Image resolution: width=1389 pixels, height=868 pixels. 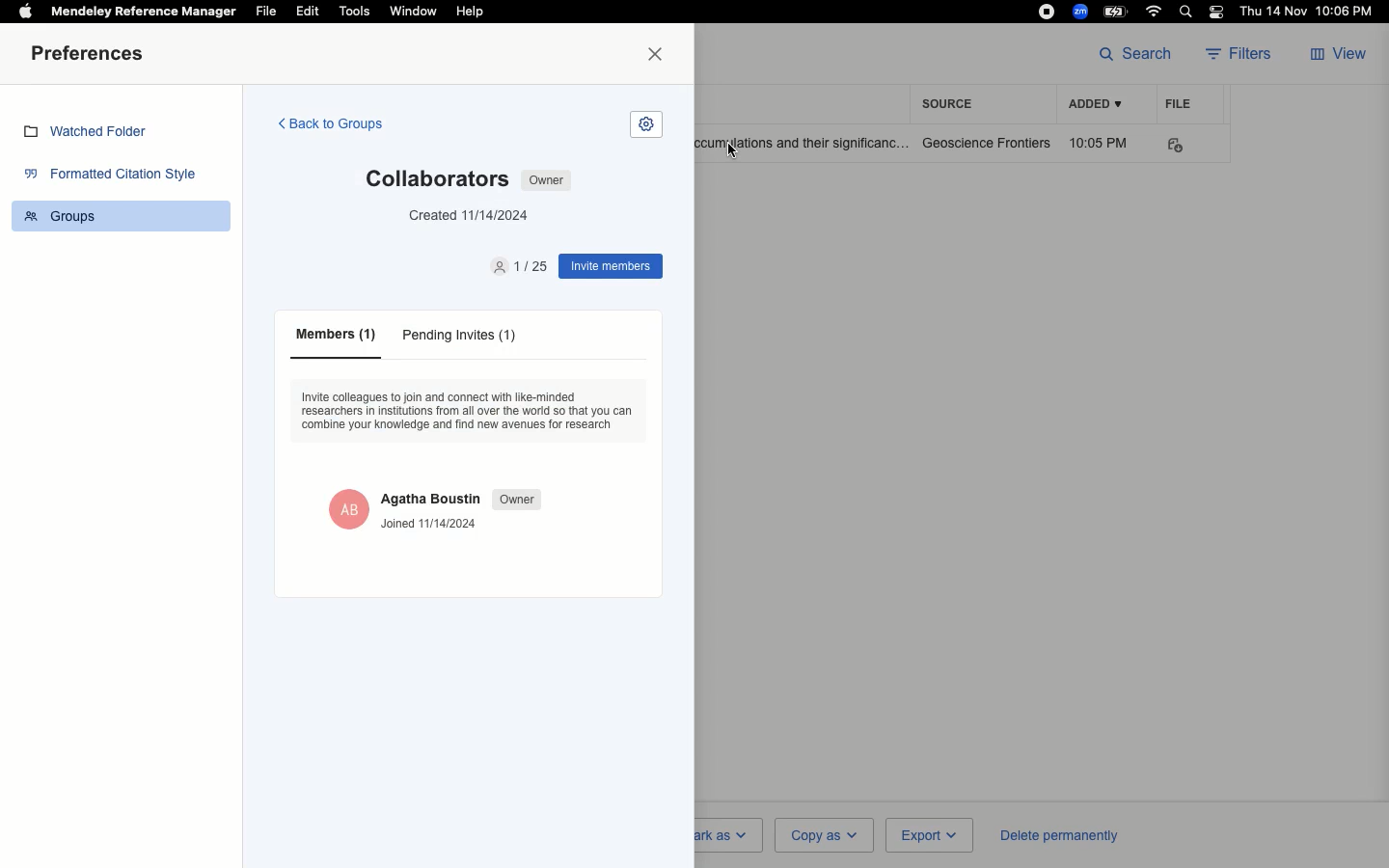 I want to click on Date/time, so click(x=1311, y=12).